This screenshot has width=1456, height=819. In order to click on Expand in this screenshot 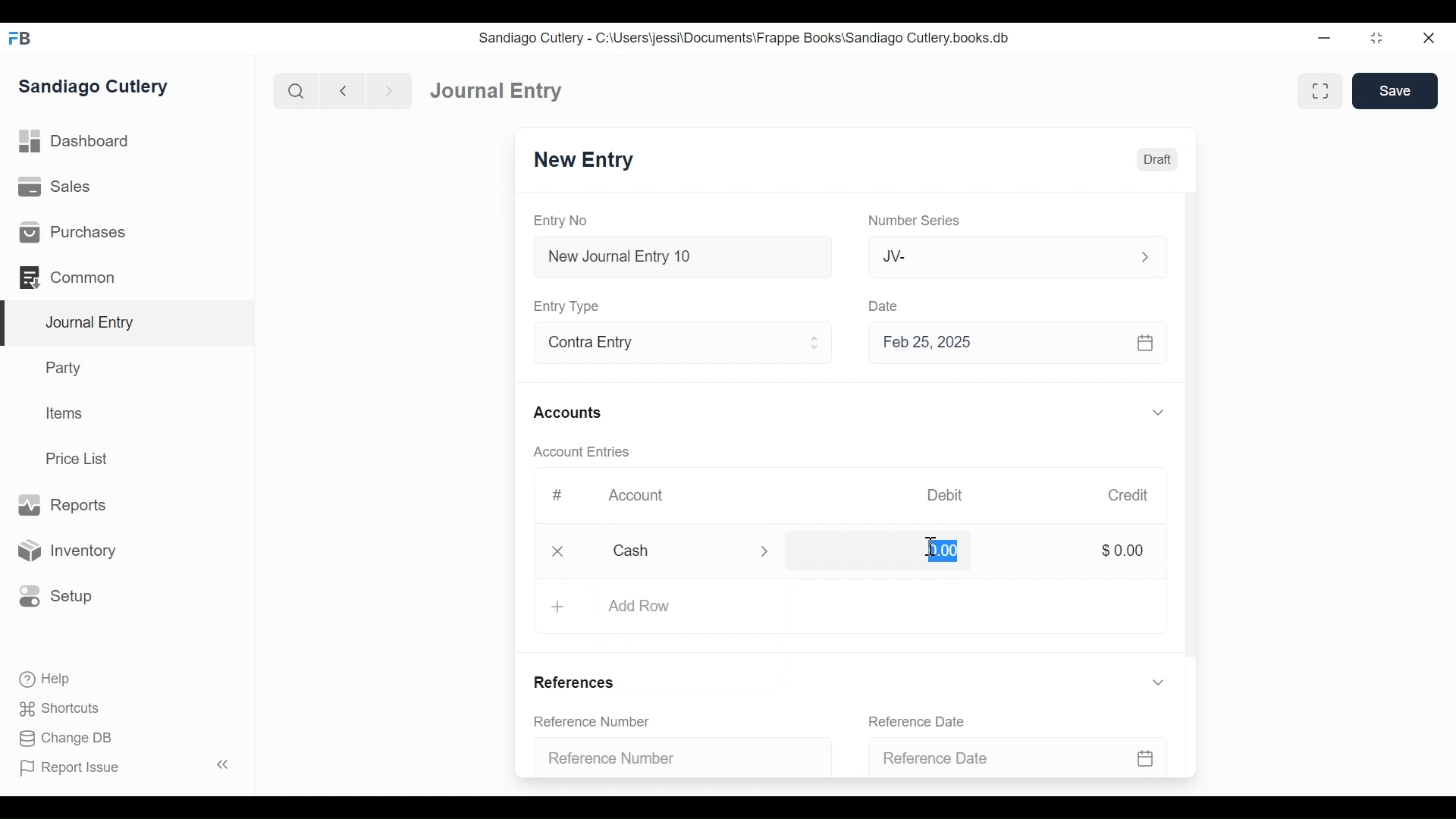, I will do `click(769, 552)`.